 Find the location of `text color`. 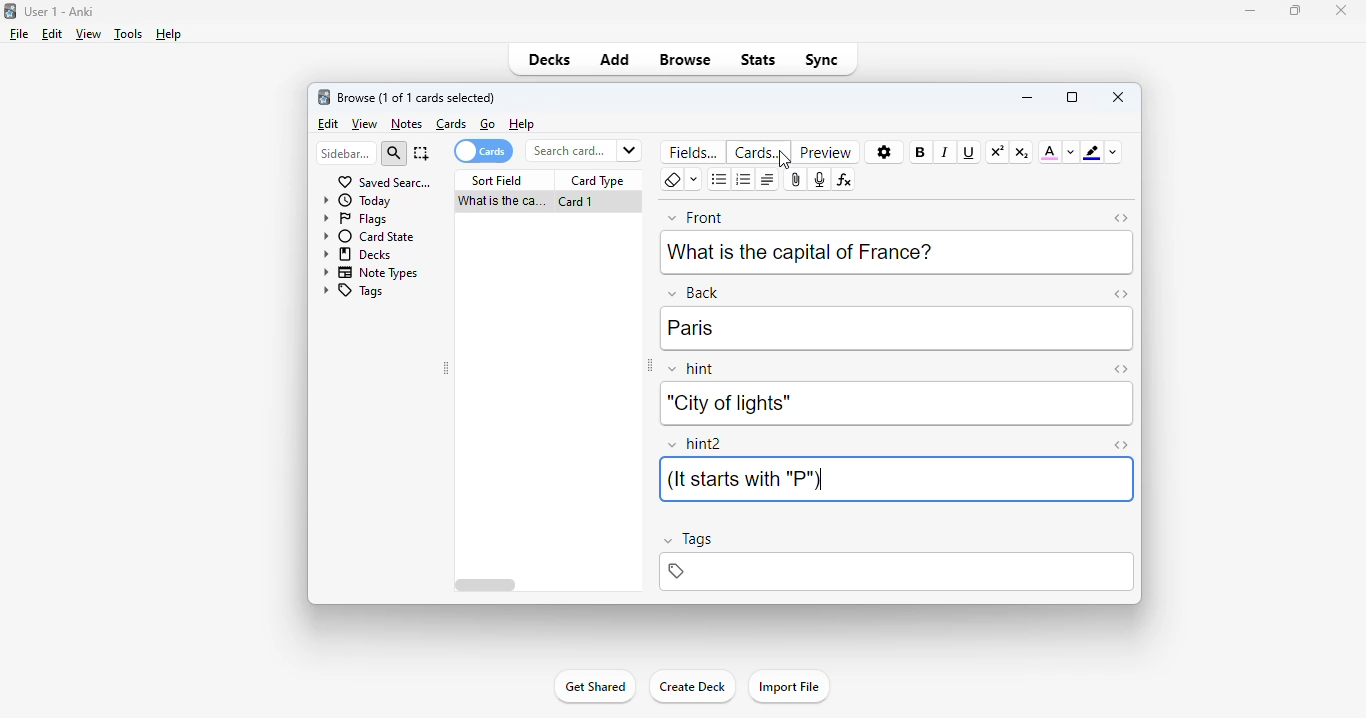

text color is located at coordinates (1050, 151).